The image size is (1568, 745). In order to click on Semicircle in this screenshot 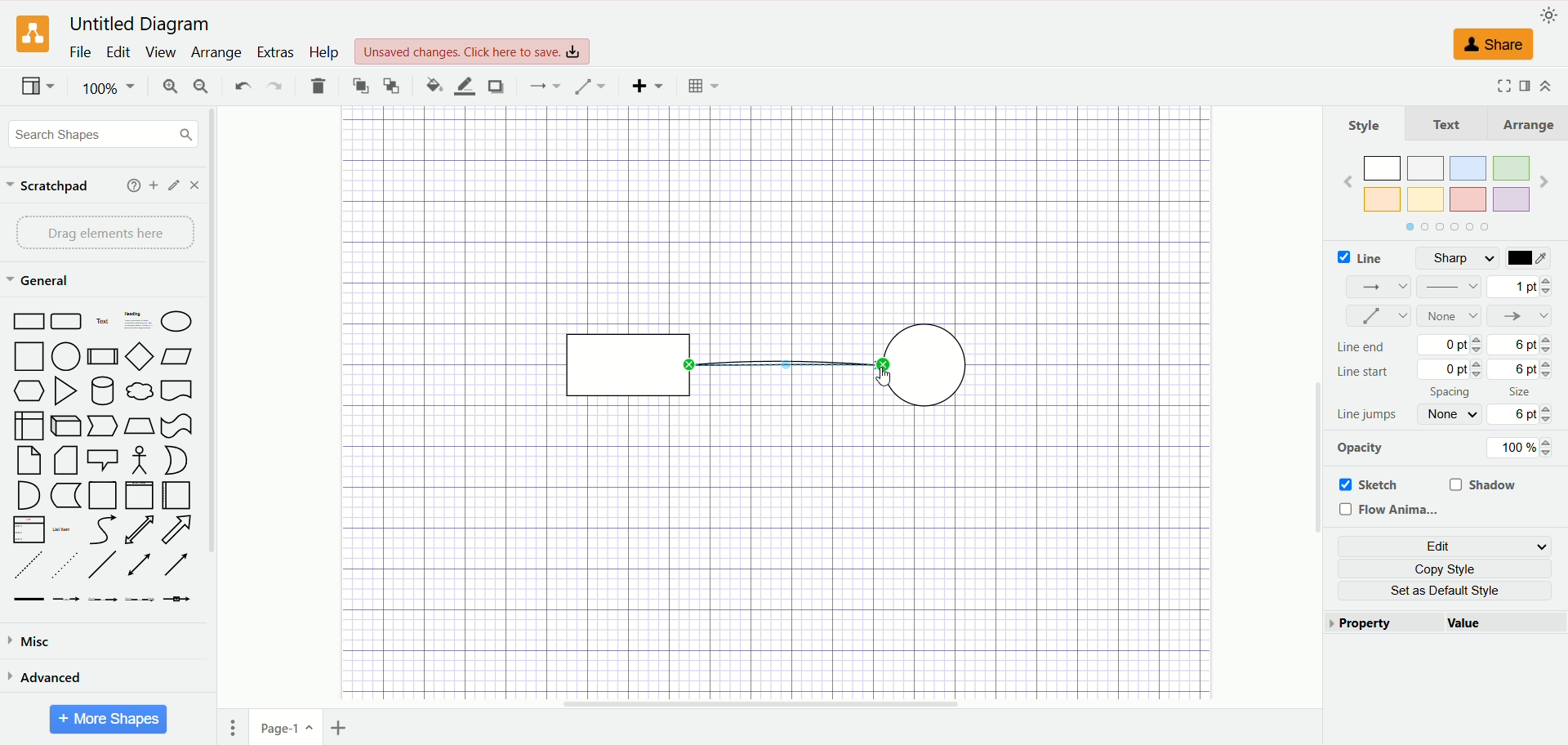, I will do `click(29, 495)`.